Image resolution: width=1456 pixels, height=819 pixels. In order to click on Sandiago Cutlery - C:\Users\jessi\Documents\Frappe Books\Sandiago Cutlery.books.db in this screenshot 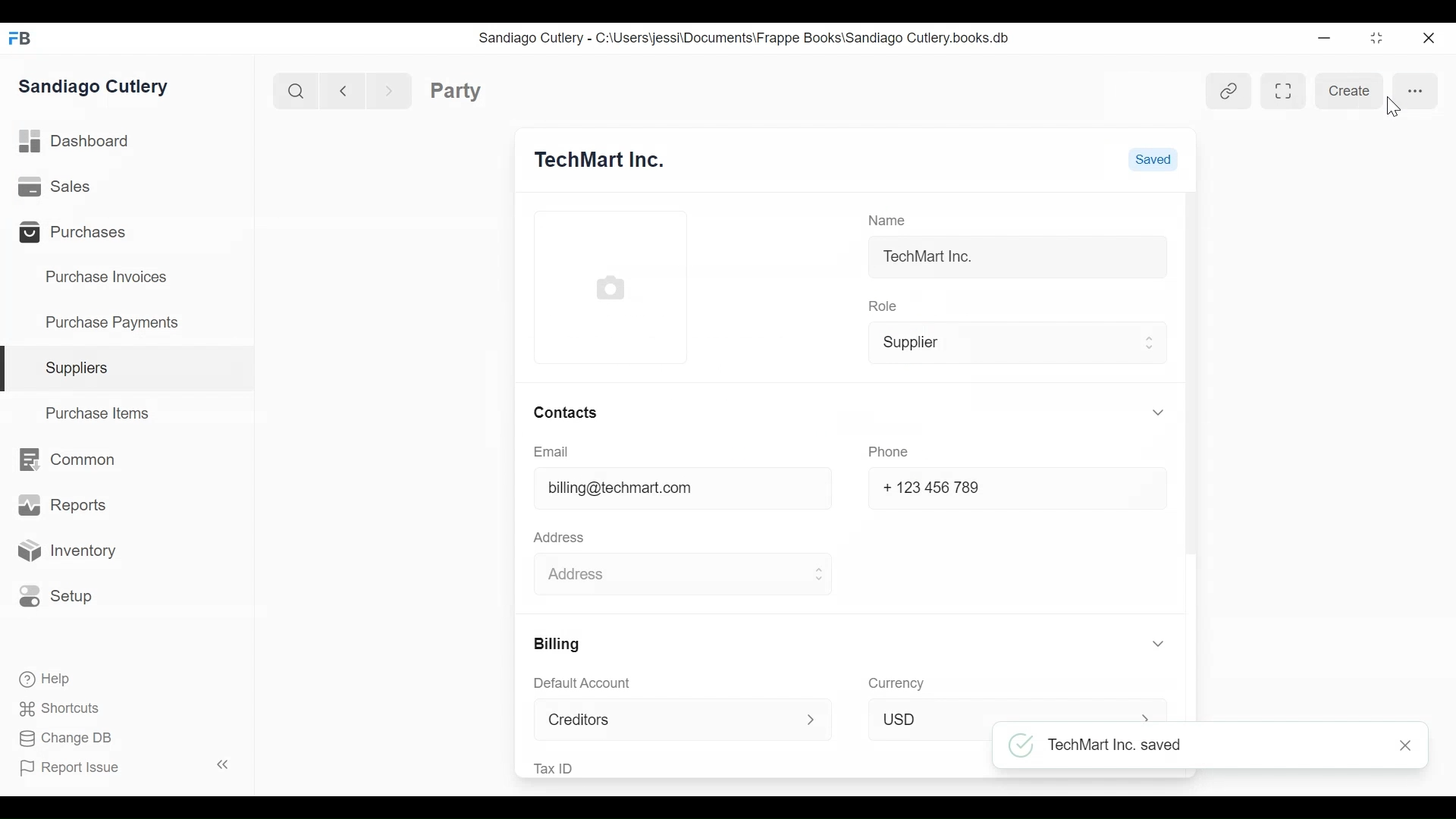, I will do `click(758, 45)`.